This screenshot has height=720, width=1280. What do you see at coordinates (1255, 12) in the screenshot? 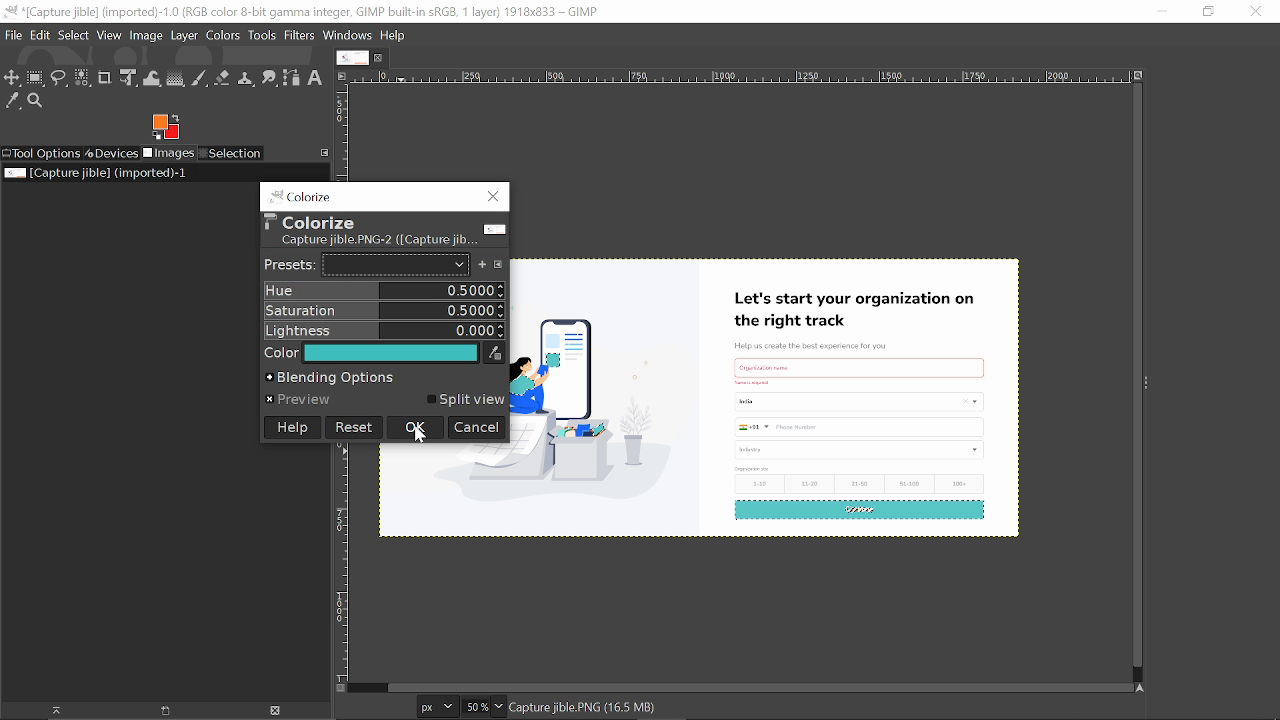
I see `Close` at bounding box center [1255, 12].